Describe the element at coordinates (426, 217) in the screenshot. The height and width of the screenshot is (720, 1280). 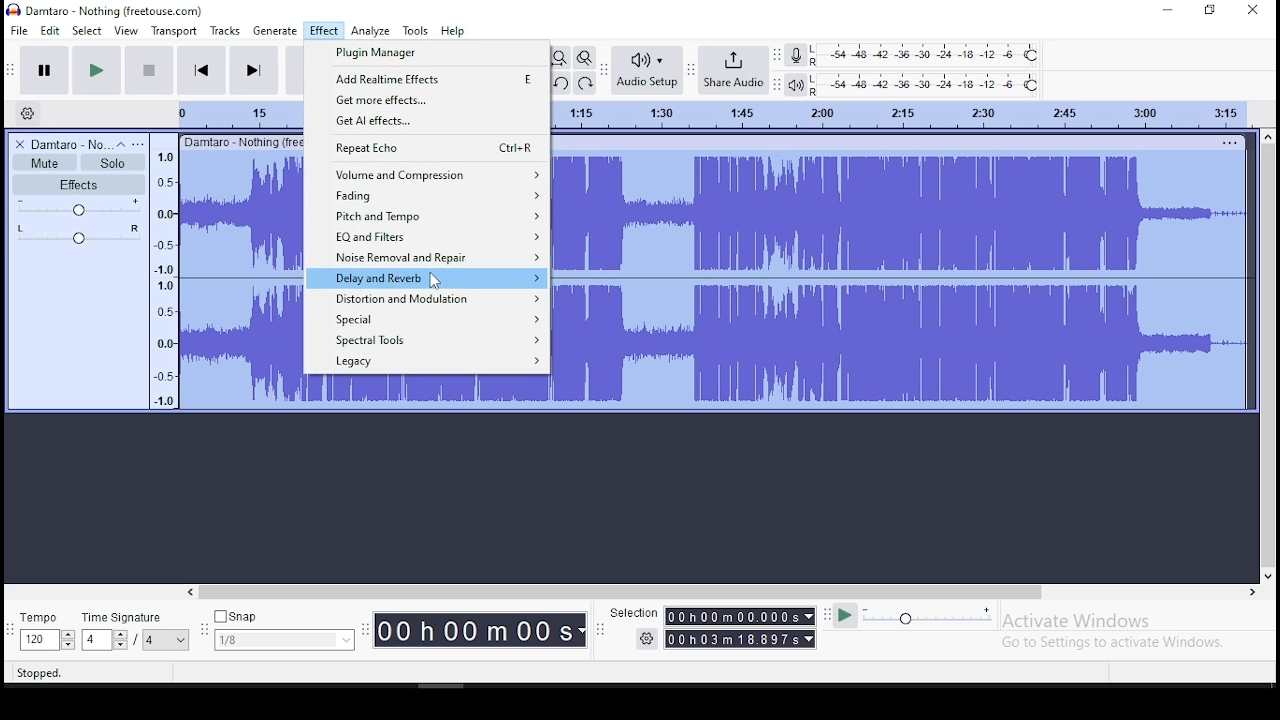
I see `pitch and tempo` at that location.